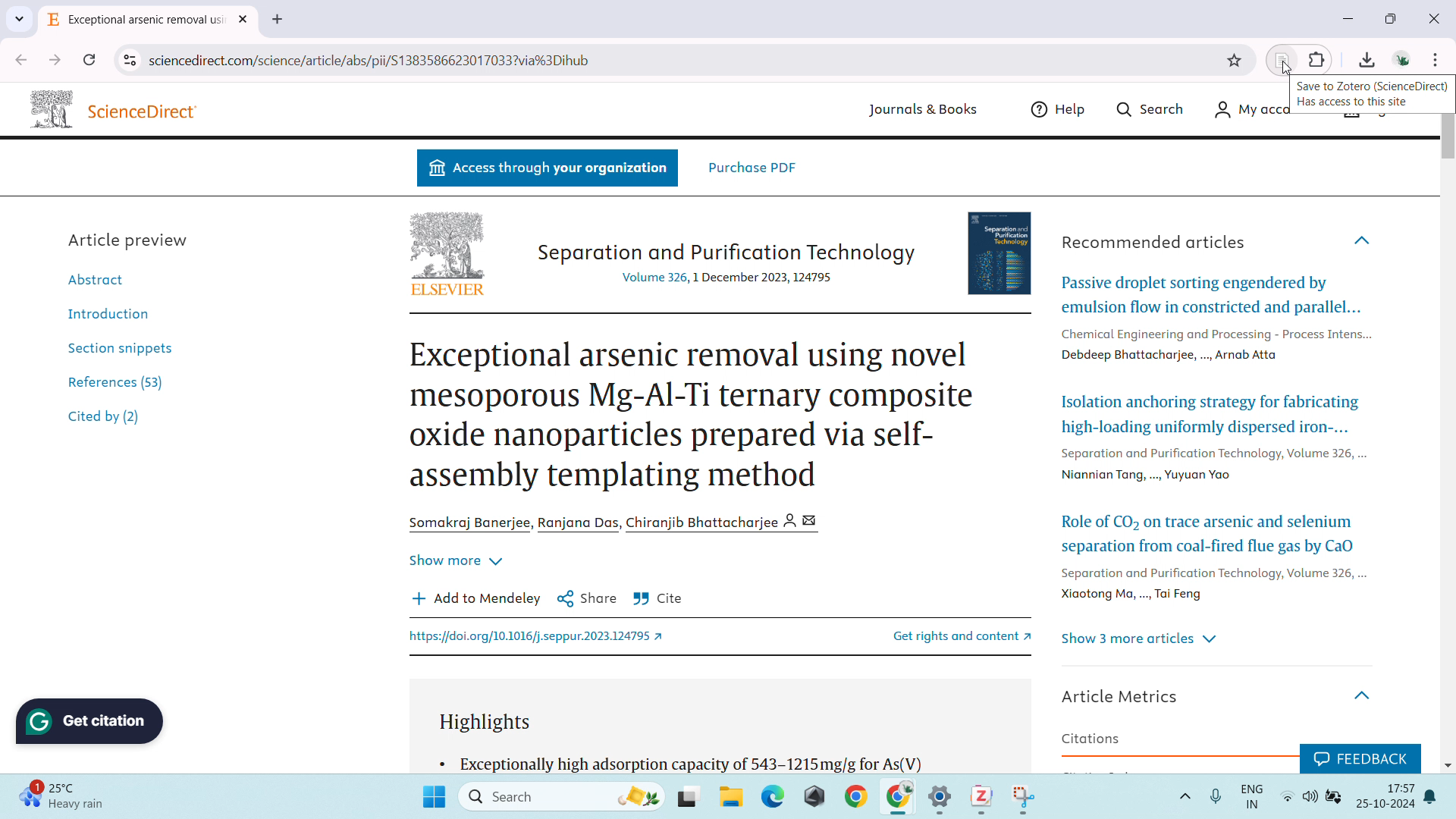  What do you see at coordinates (658, 599) in the screenshot?
I see `Cite` at bounding box center [658, 599].